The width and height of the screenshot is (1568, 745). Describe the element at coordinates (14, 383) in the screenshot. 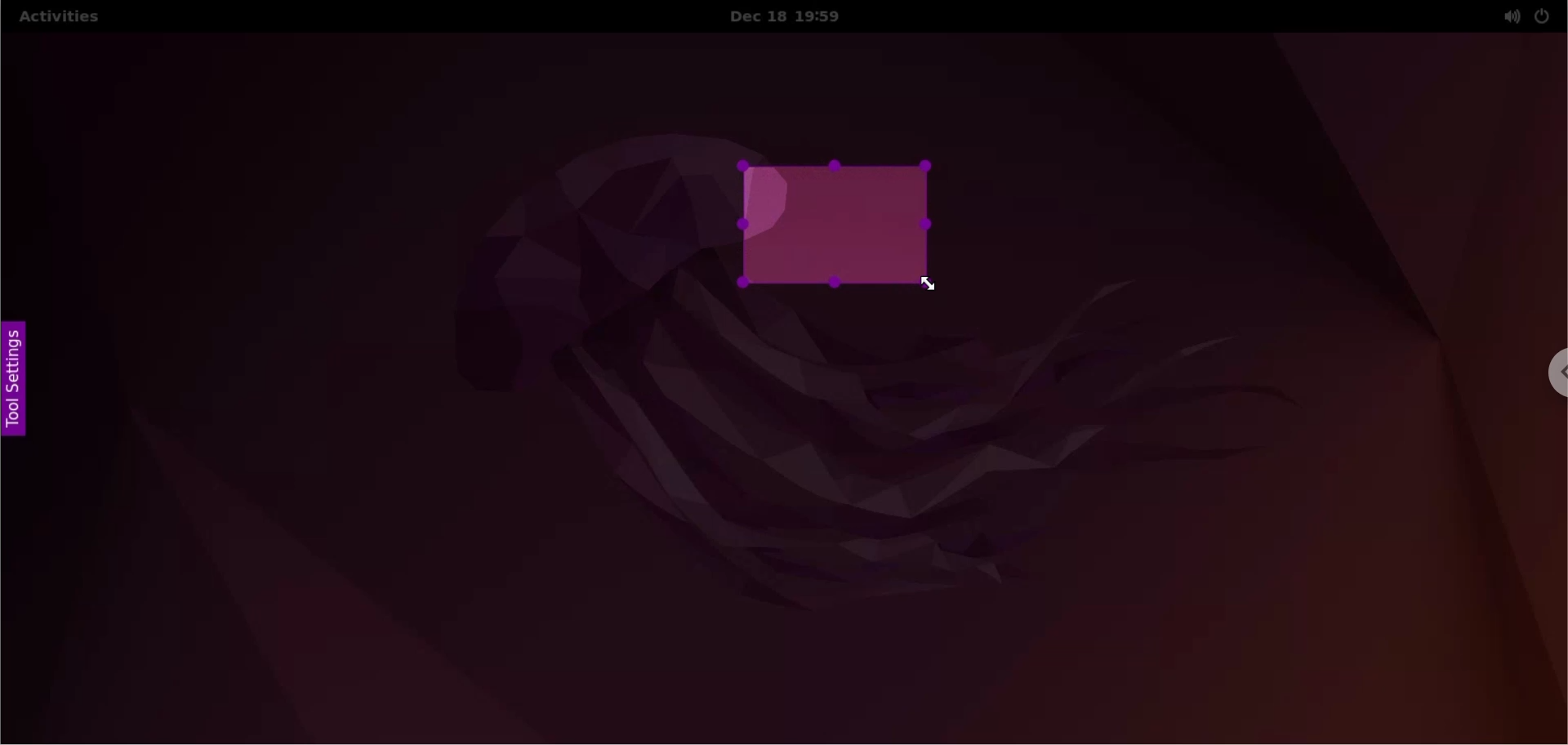

I see `tool settings` at that location.